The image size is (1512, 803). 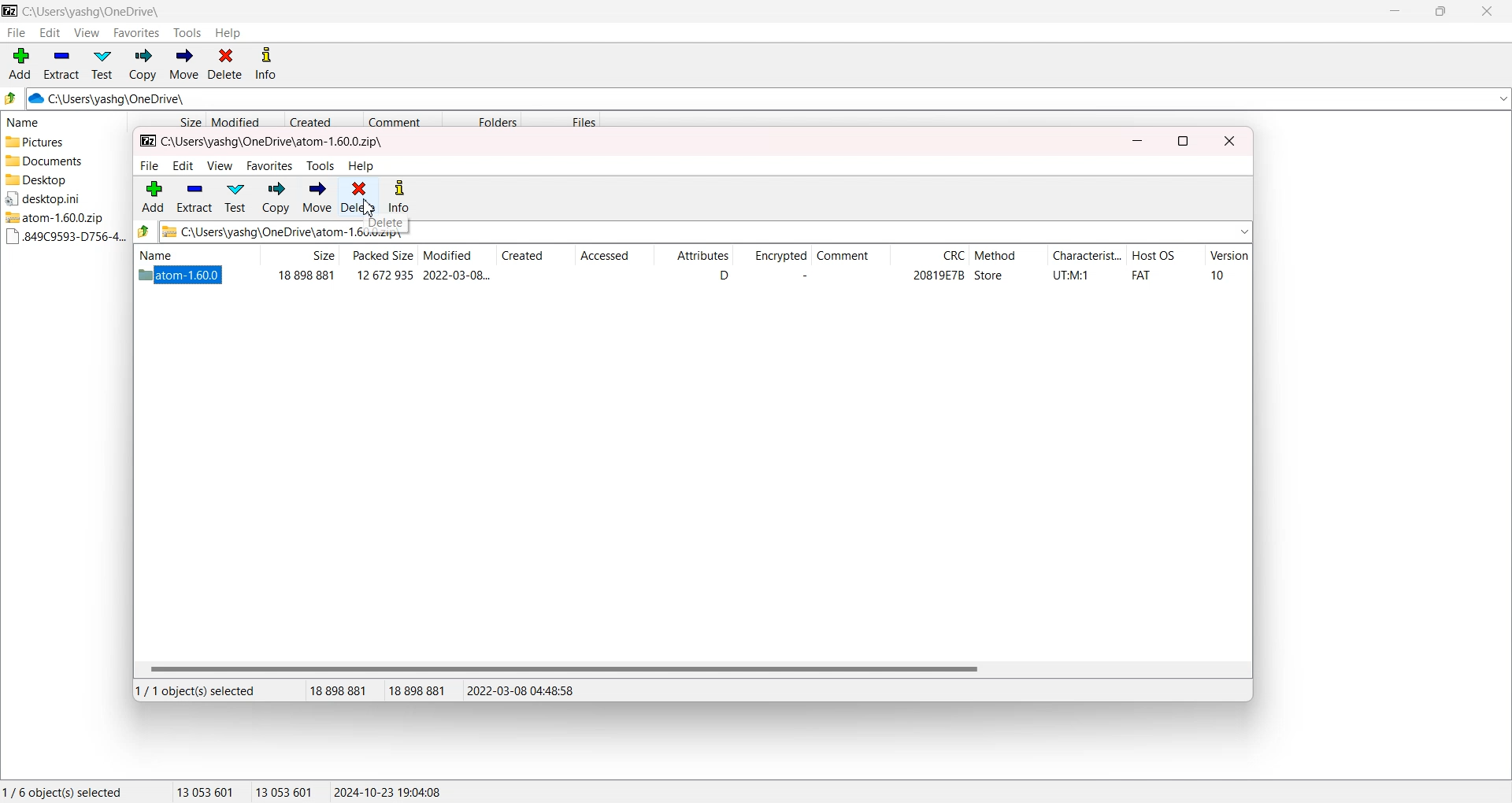 What do you see at coordinates (263, 142) in the screenshot?
I see `File path - C:\Users\yashg\OneDrive\atom-1.60.0.zip\` at bounding box center [263, 142].